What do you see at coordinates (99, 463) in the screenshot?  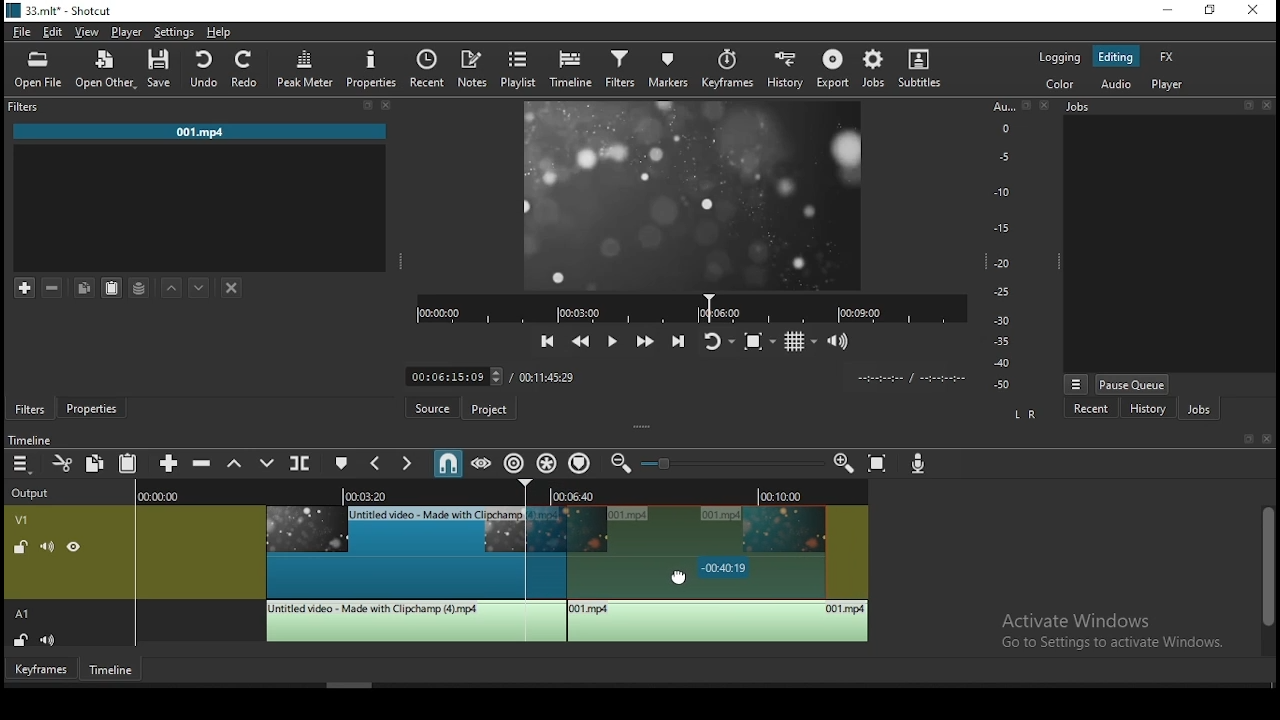 I see `copy` at bounding box center [99, 463].